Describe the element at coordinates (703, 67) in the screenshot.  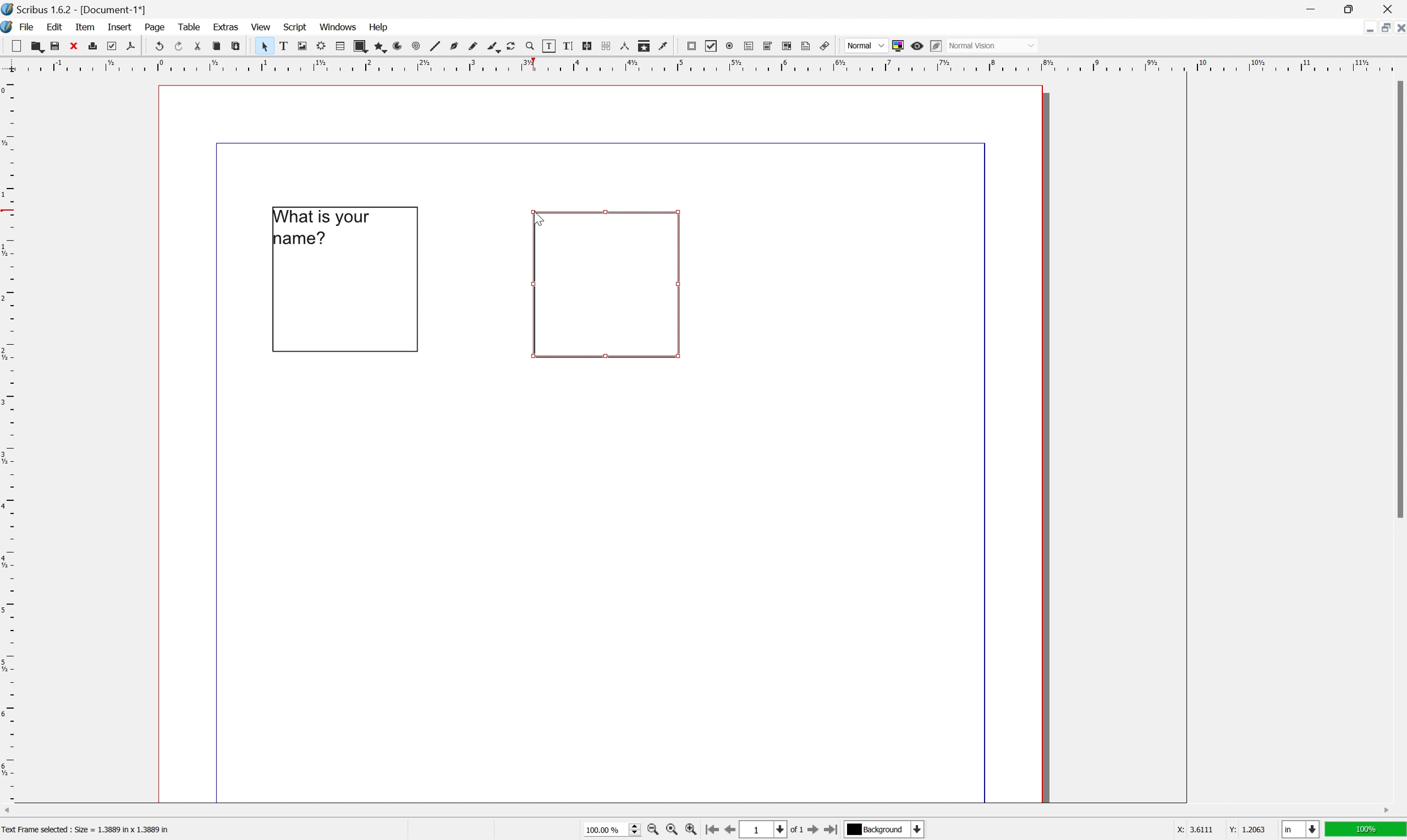
I see `ruler` at that location.